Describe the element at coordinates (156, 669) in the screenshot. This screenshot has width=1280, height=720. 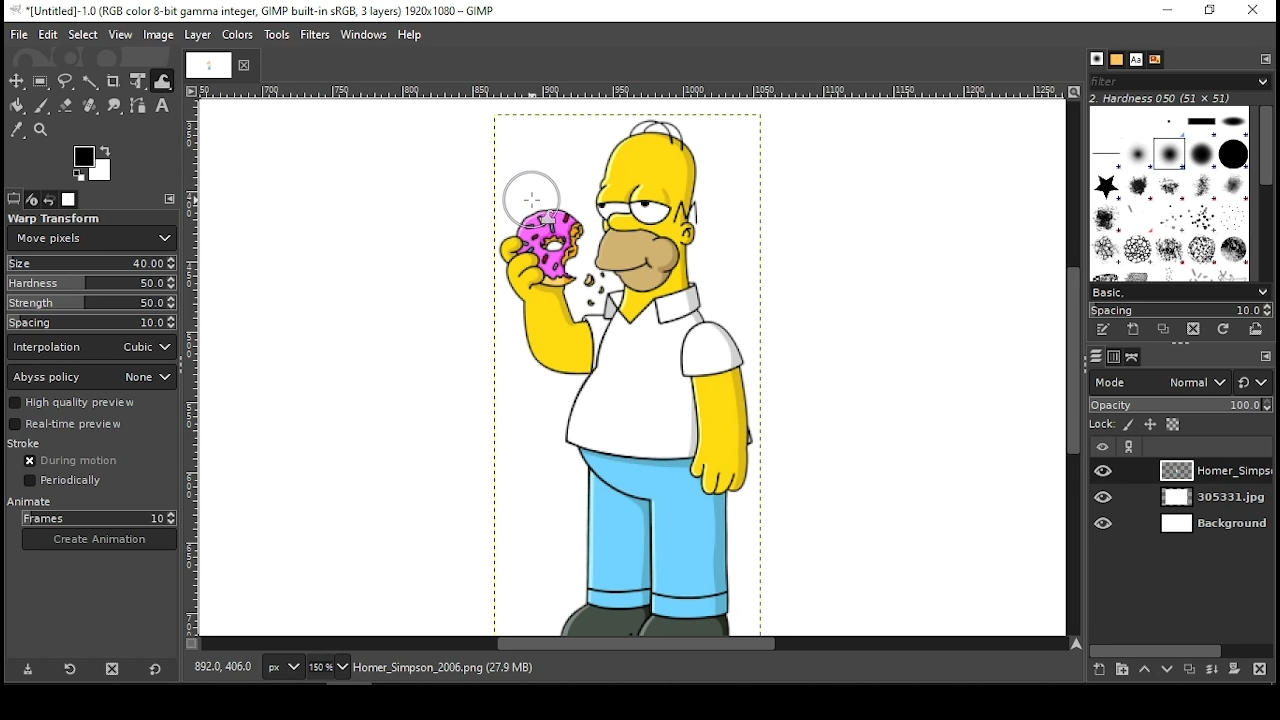
I see `reset to default values` at that location.